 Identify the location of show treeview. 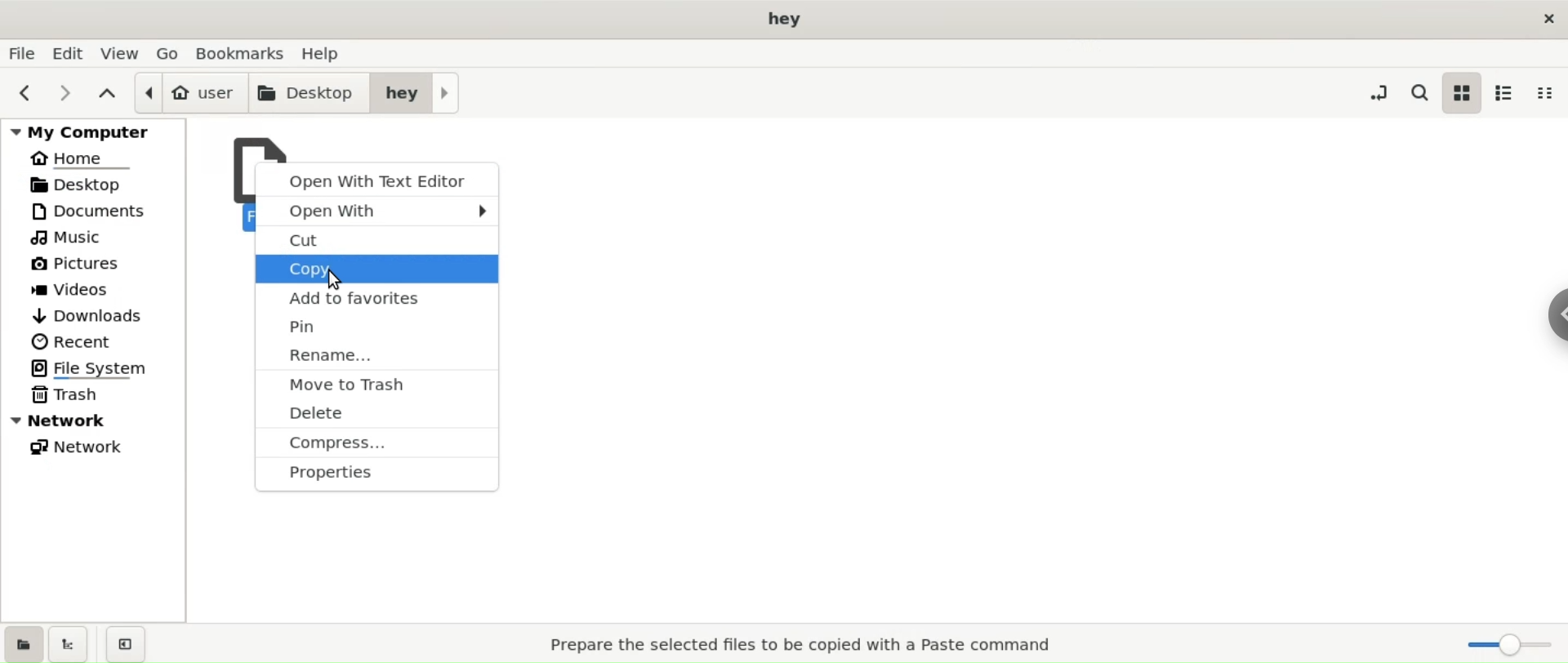
(67, 644).